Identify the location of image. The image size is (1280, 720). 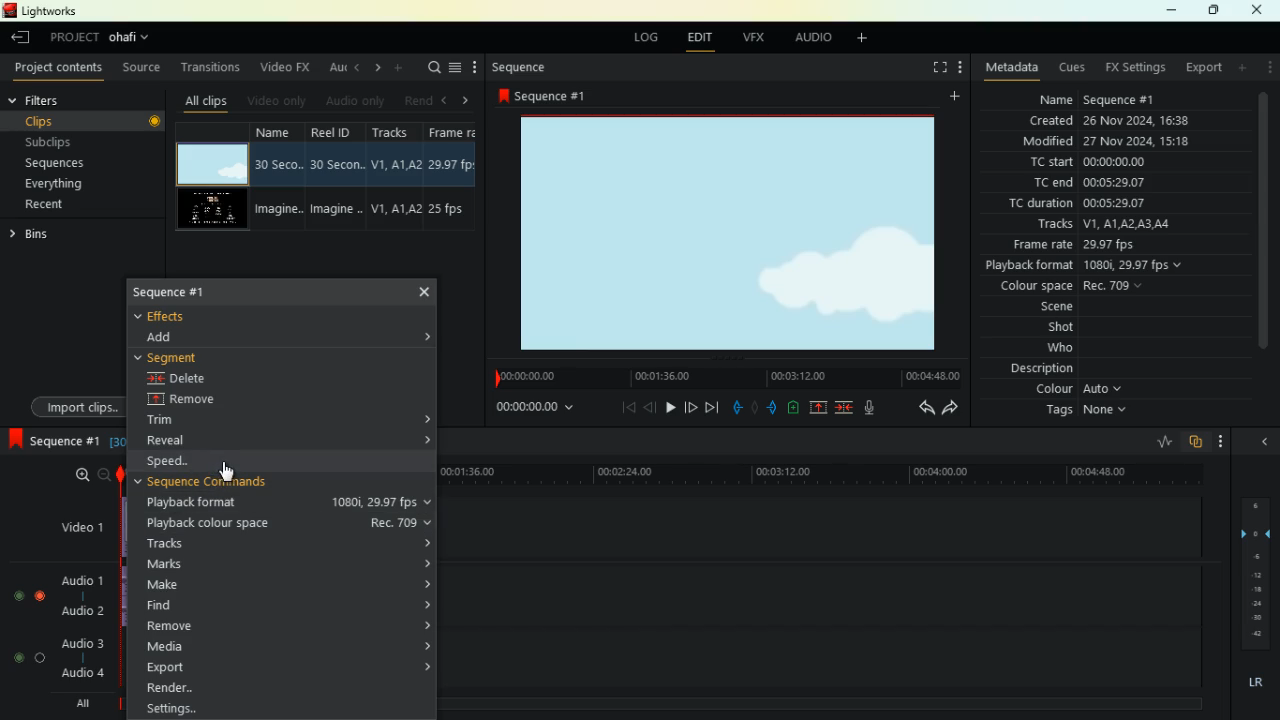
(731, 232).